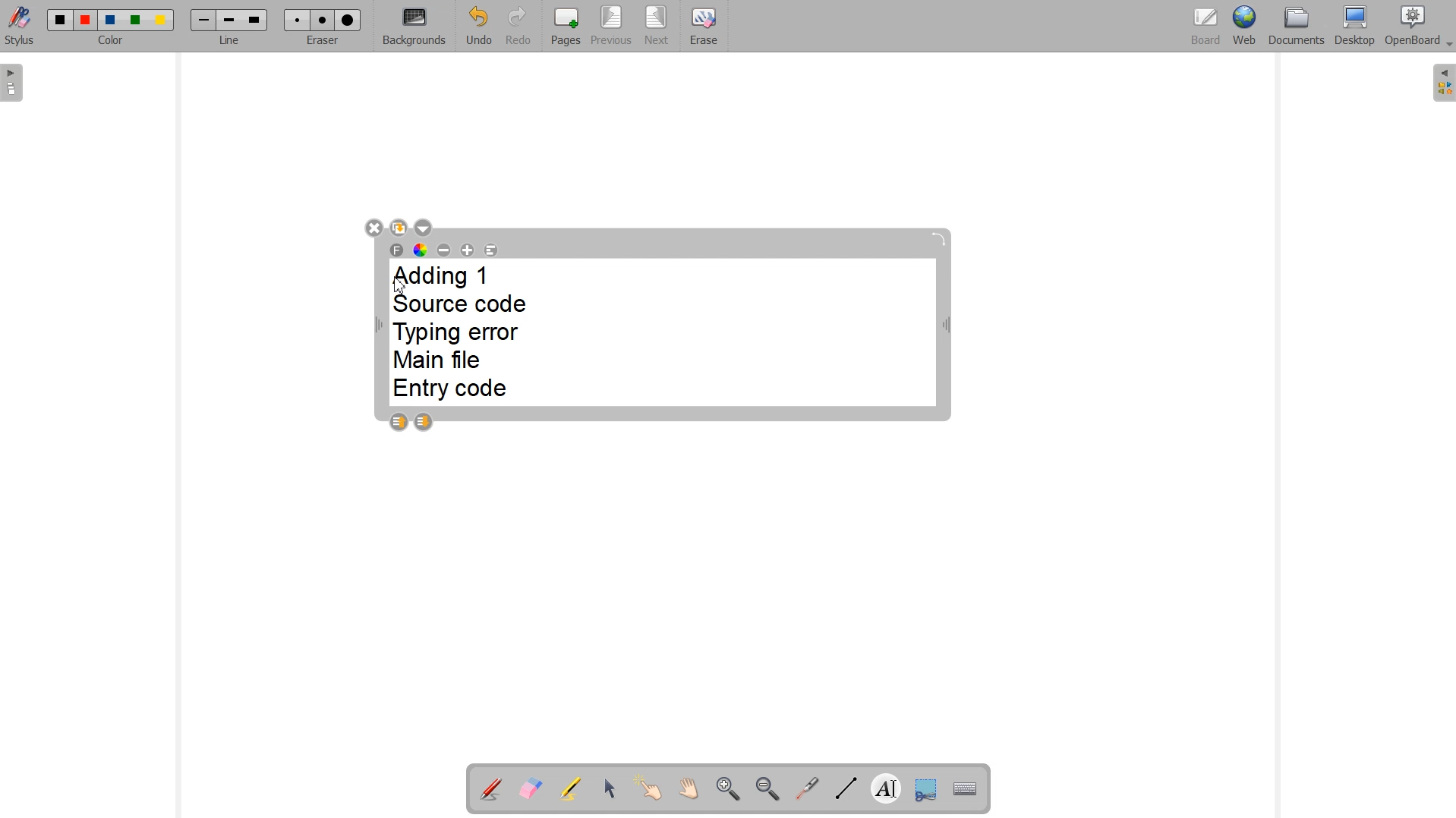 Image resolution: width=1456 pixels, height=818 pixels. I want to click on Draw lines, so click(844, 788).